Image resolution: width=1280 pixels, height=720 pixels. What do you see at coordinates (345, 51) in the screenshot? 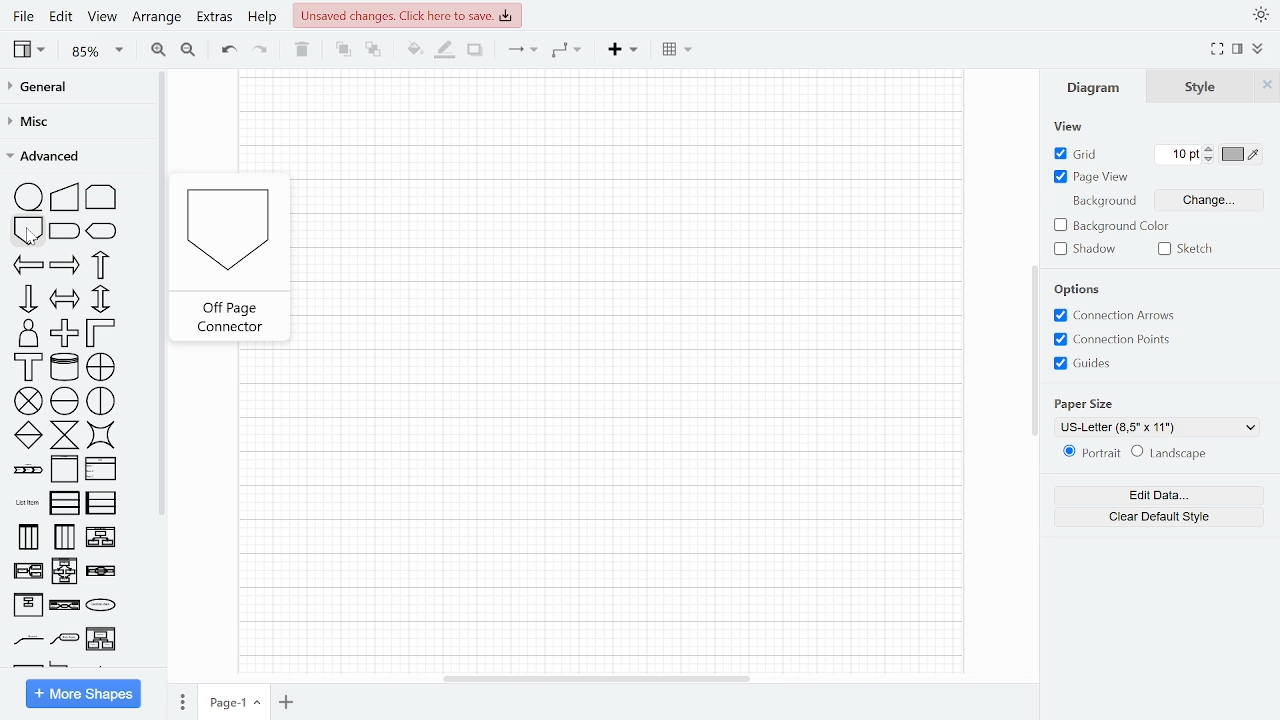
I see `TO front` at bounding box center [345, 51].